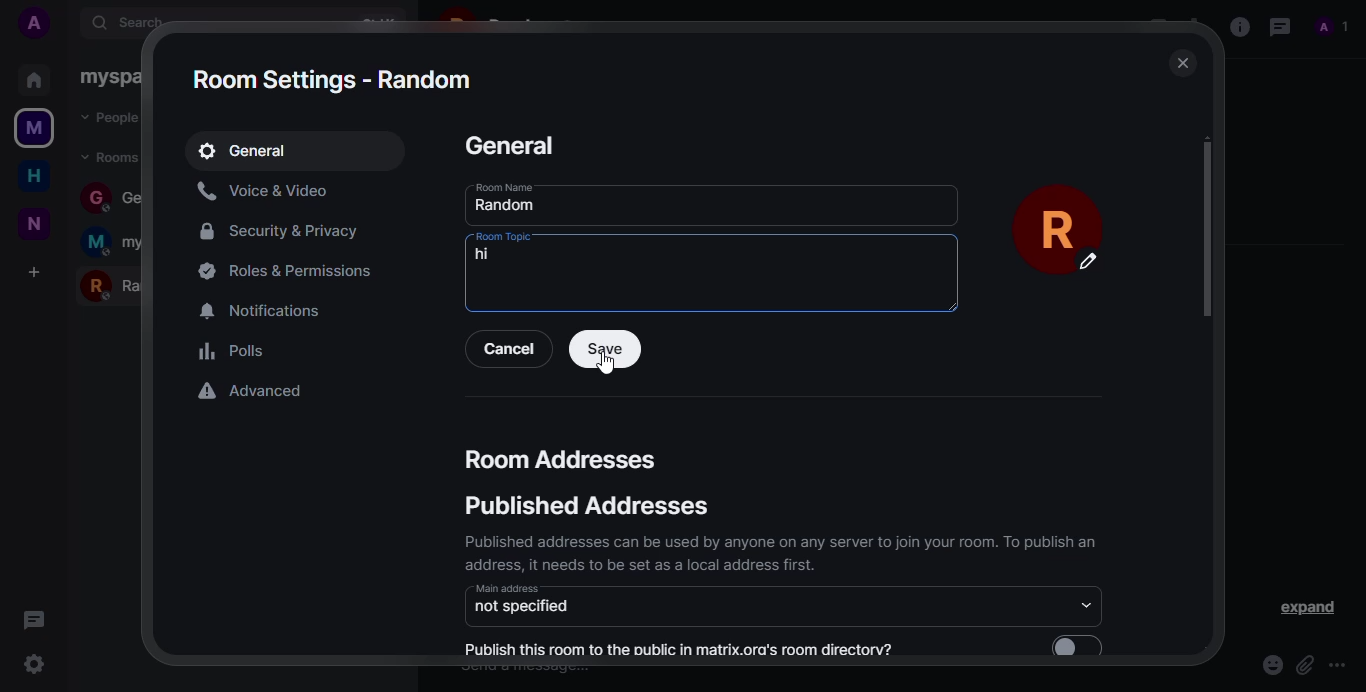 This screenshot has height=692, width=1366. Describe the element at coordinates (122, 243) in the screenshot. I see `myspace` at that location.